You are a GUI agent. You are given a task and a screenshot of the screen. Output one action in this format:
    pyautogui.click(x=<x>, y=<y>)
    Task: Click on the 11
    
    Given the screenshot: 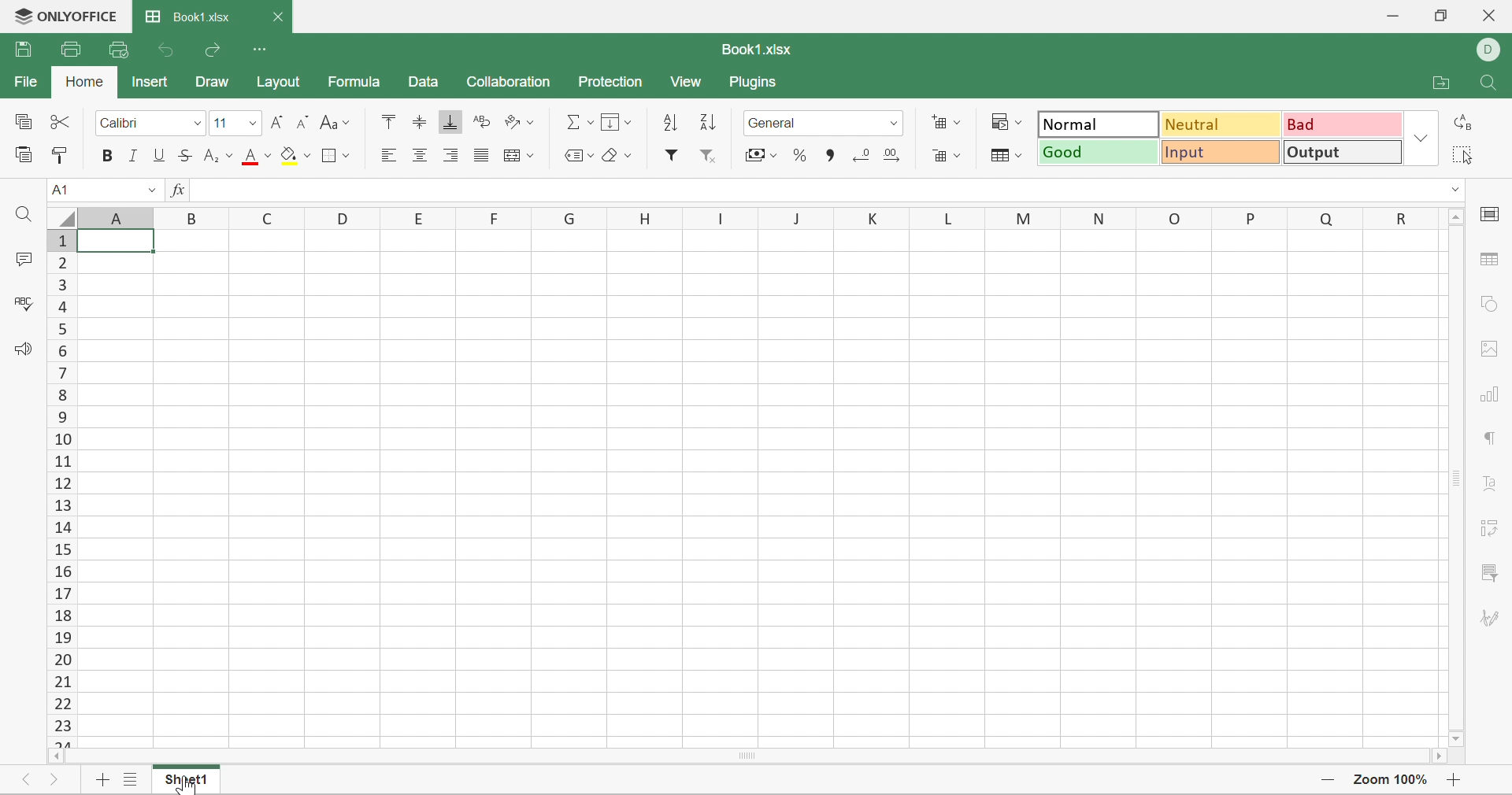 What is the action you would take?
    pyautogui.click(x=222, y=124)
    